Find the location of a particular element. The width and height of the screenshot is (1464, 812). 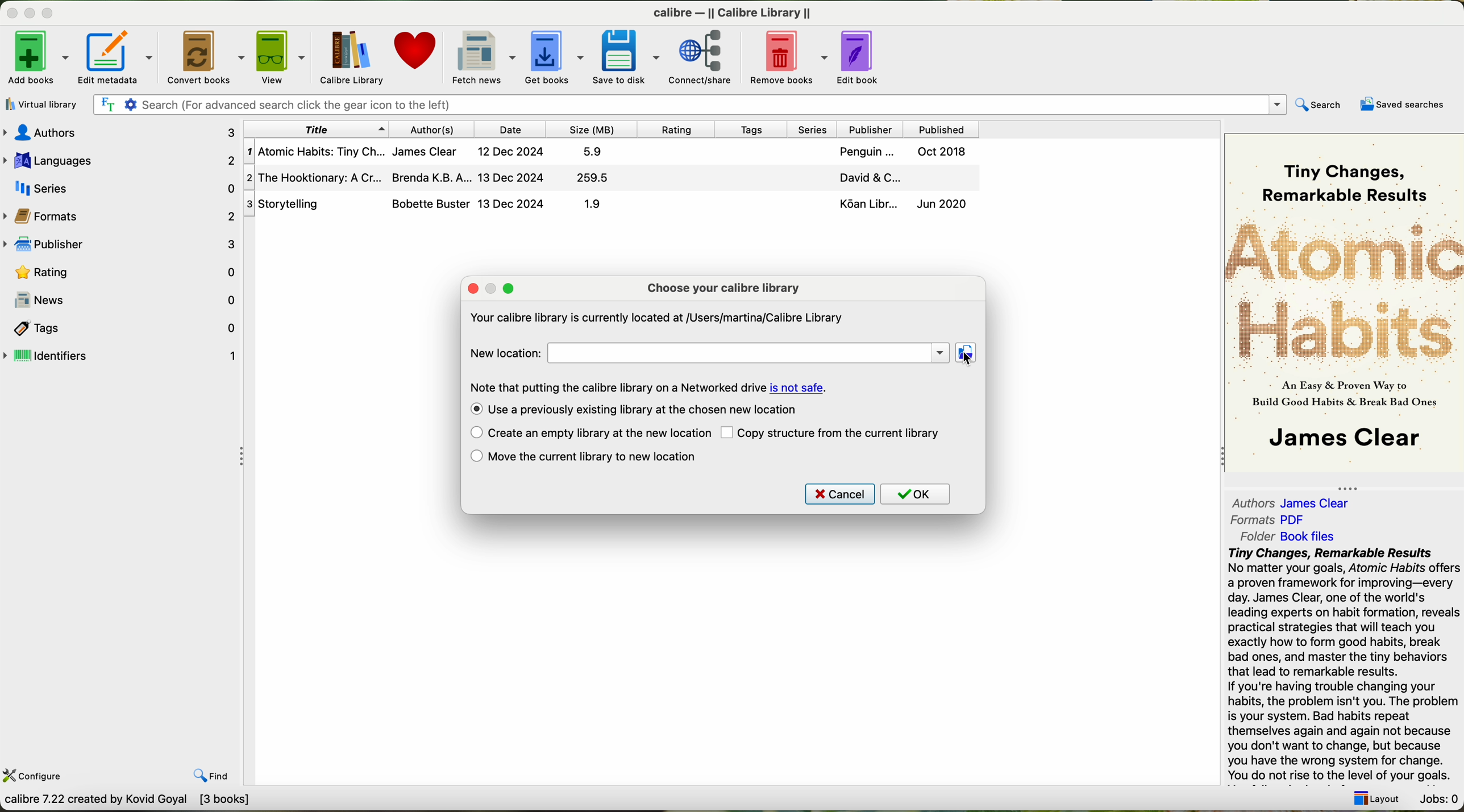

minimize is located at coordinates (492, 288).